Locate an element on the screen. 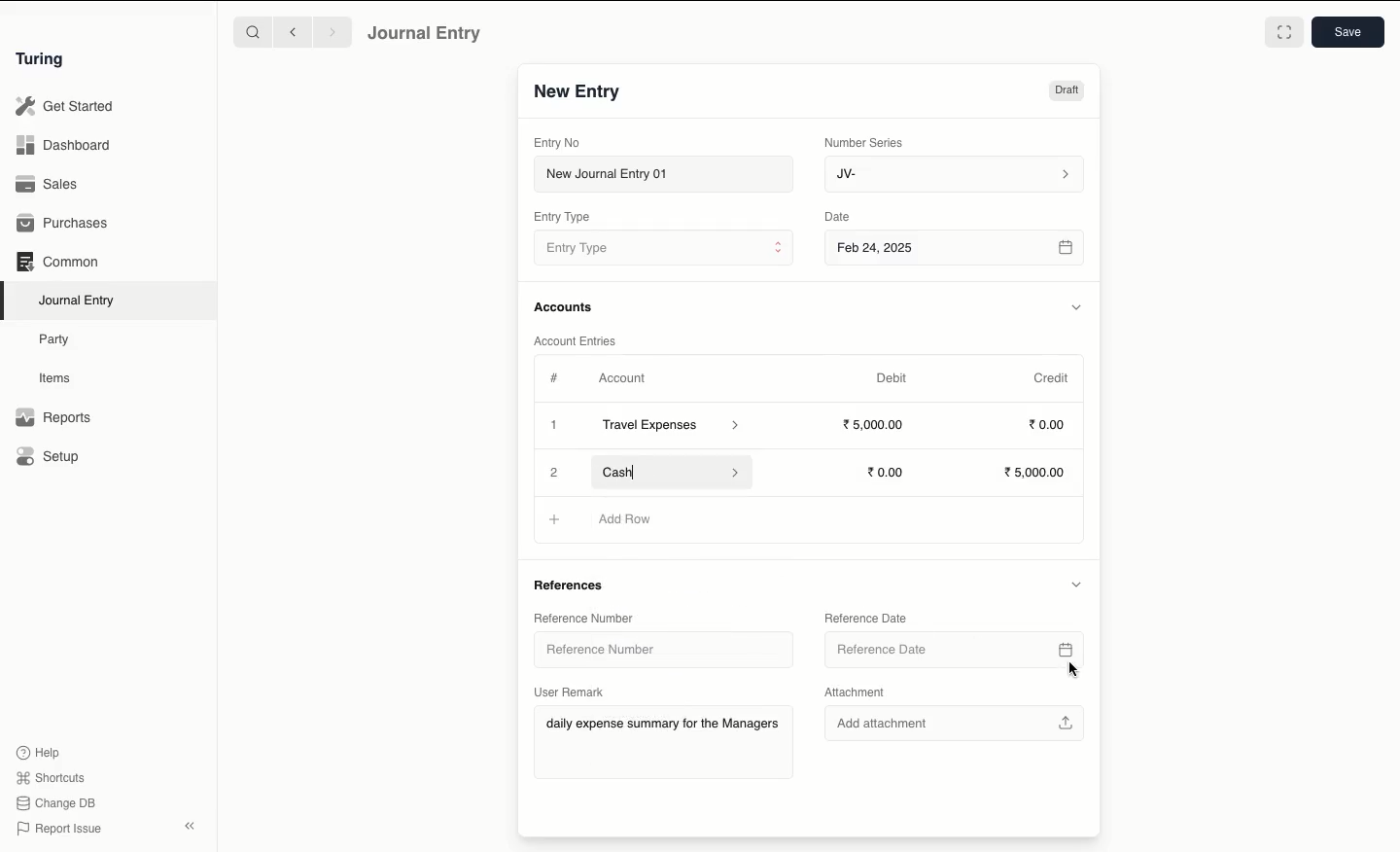 The image size is (1400, 852). Hashtag is located at coordinates (556, 377).